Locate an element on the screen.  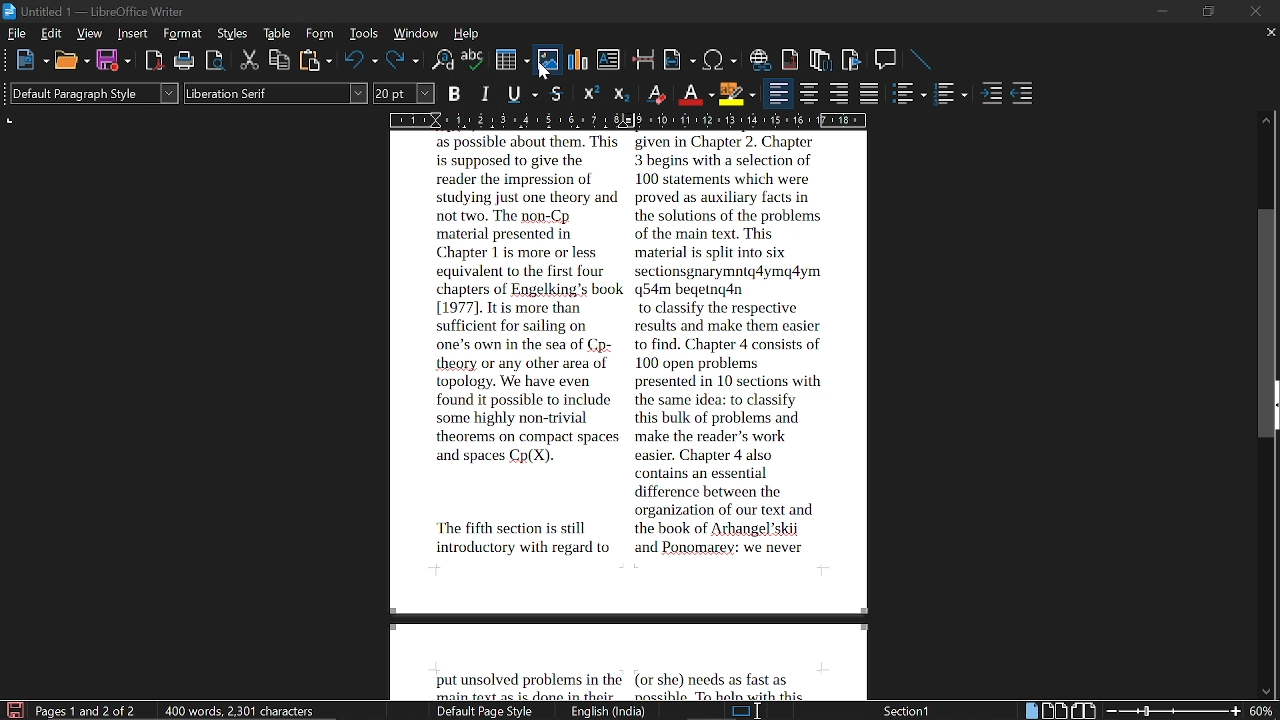
insert footnote is located at coordinates (790, 58).